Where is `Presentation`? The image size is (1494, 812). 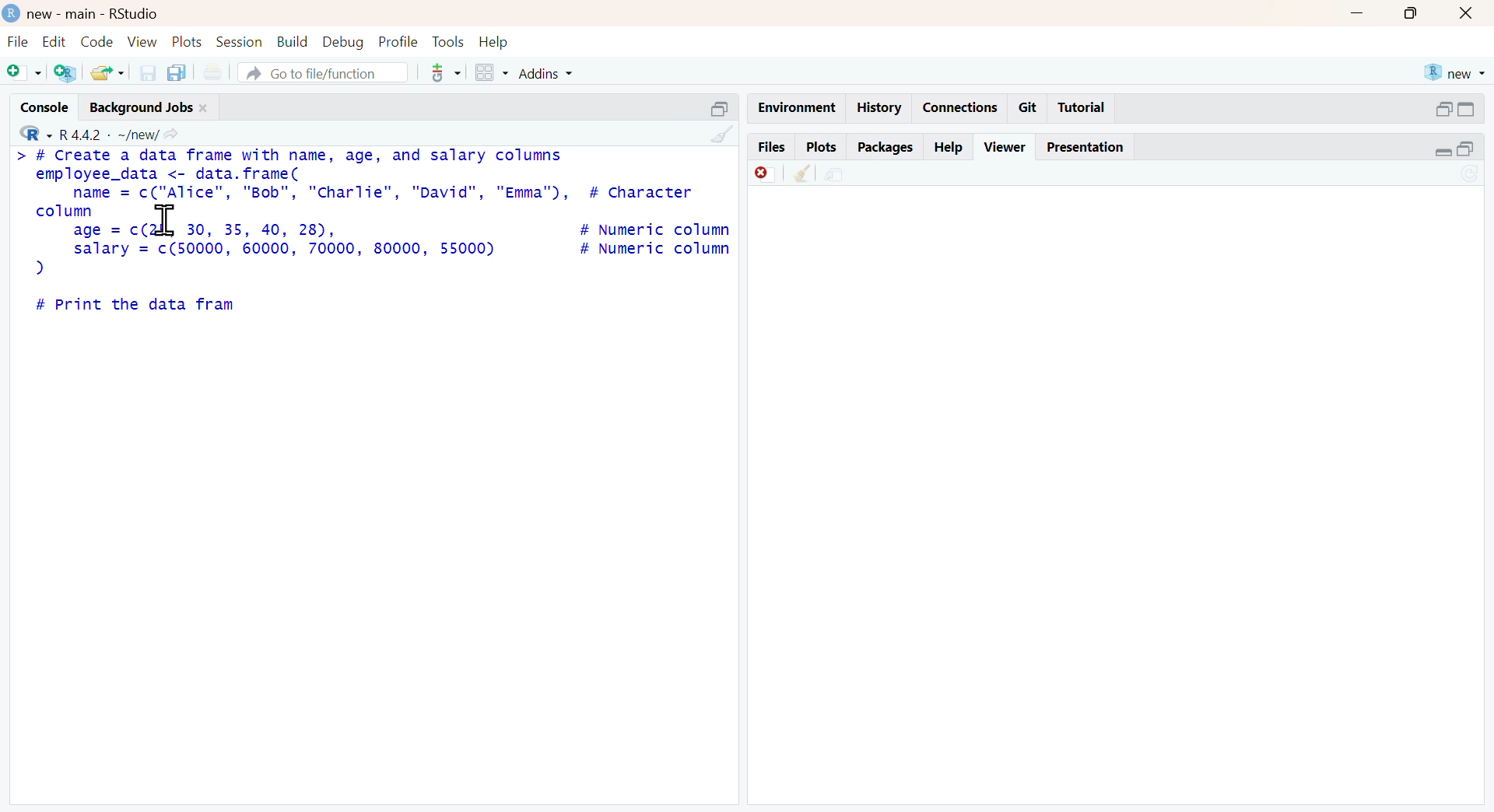 Presentation is located at coordinates (1085, 147).